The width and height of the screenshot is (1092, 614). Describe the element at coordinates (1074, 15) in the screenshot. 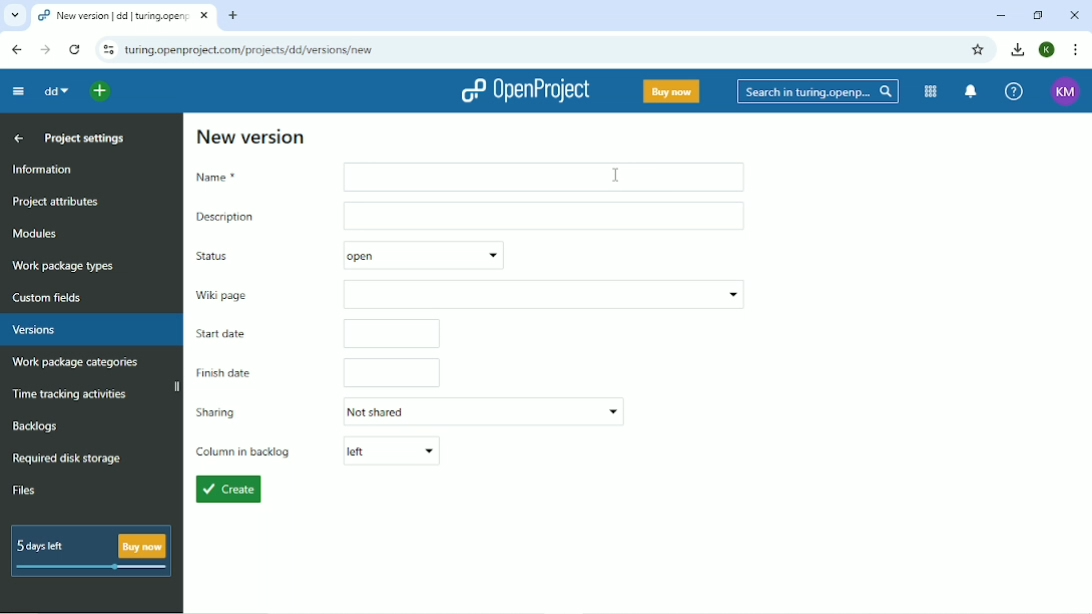

I see `Close` at that location.